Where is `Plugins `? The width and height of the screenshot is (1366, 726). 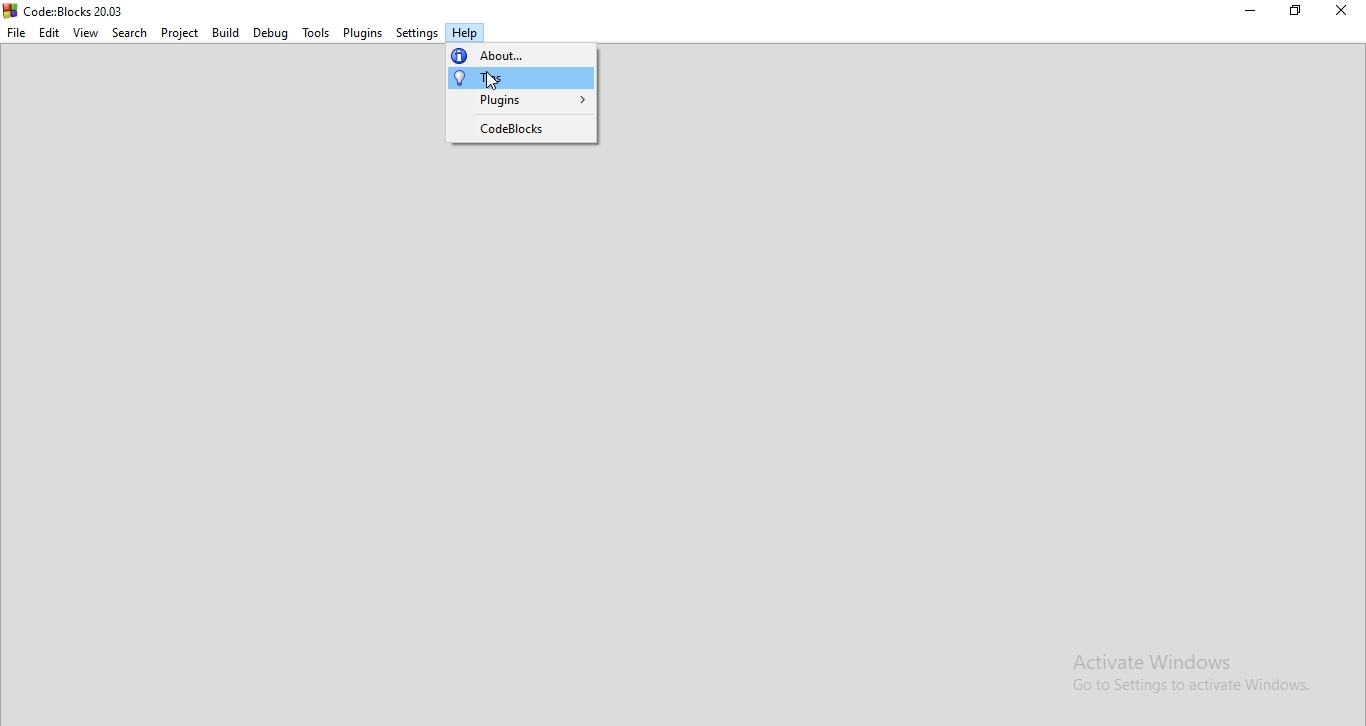 Plugins  is located at coordinates (362, 35).